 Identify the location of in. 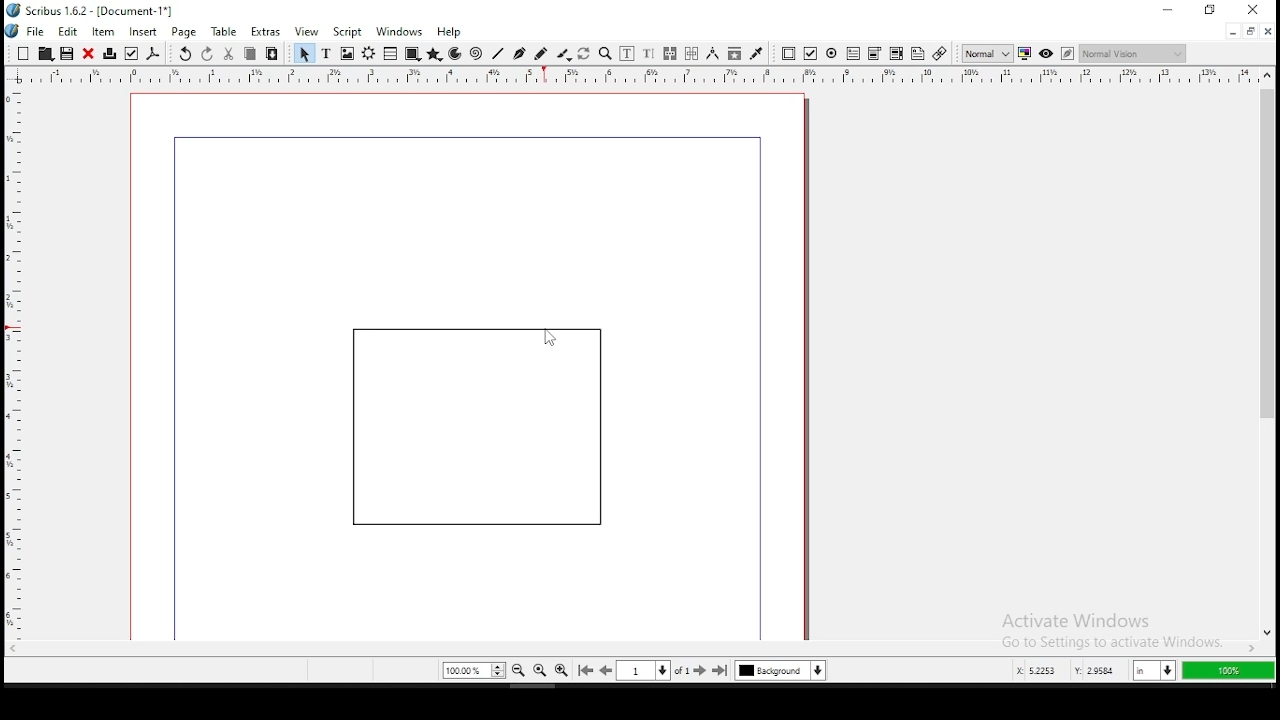
(1151, 671).